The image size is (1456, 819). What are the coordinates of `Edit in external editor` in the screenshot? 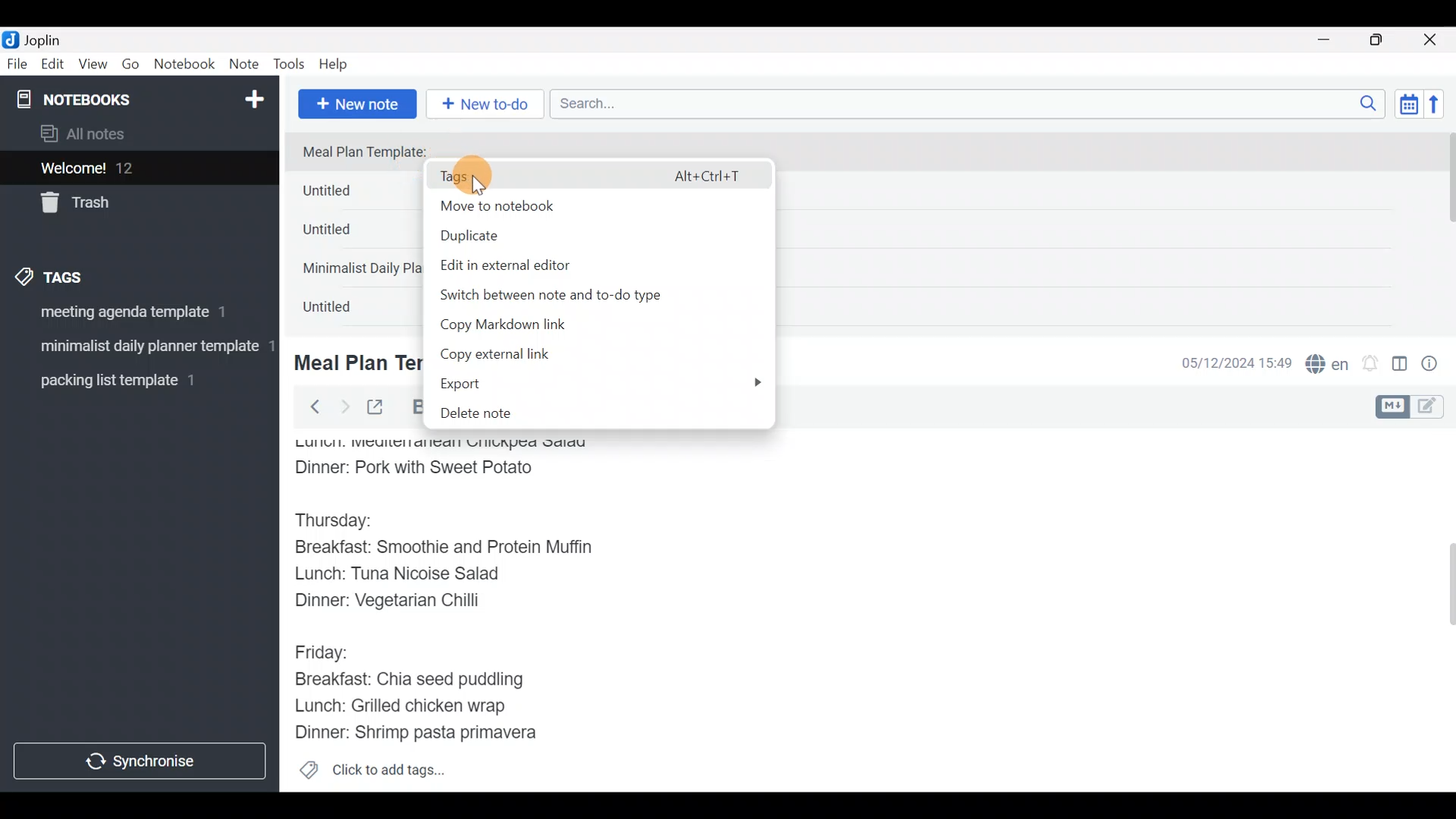 It's located at (535, 265).